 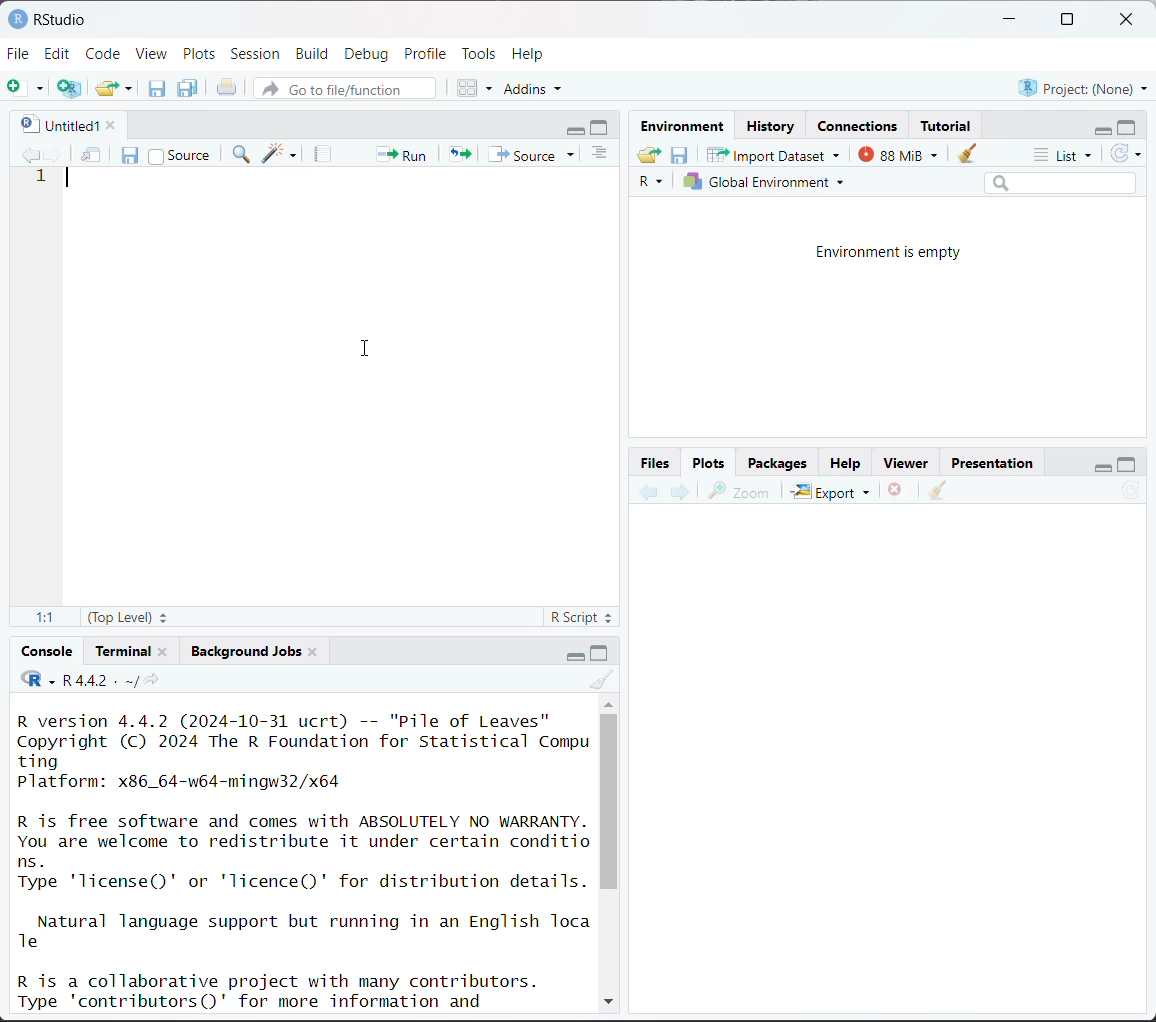 What do you see at coordinates (938, 491) in the screenshot?
I see `clear all plots` at bounding box center [938, 491].